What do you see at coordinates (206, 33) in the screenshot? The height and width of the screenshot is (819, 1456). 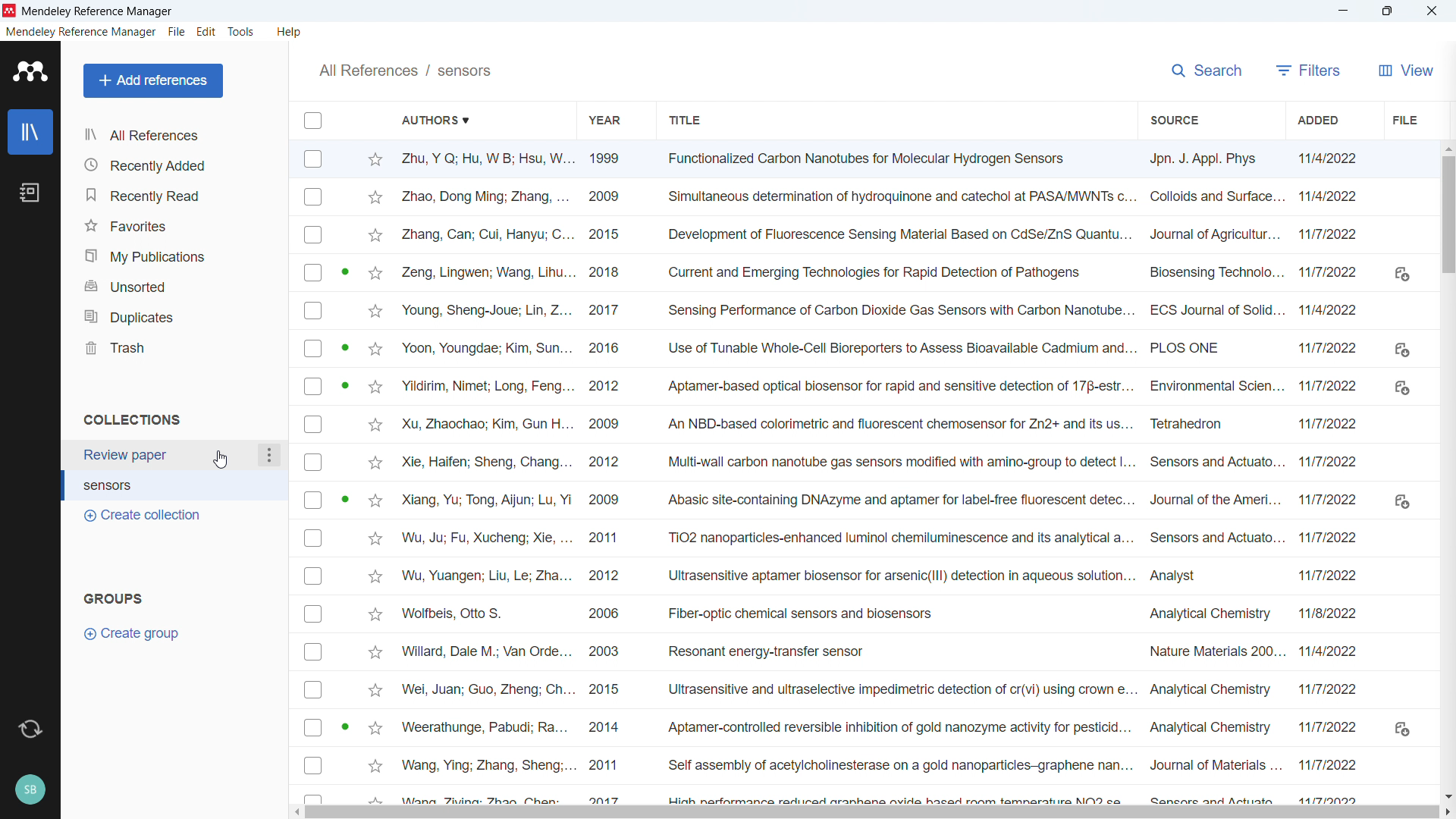 I see `Edit ` at bounding box center [206, 33].